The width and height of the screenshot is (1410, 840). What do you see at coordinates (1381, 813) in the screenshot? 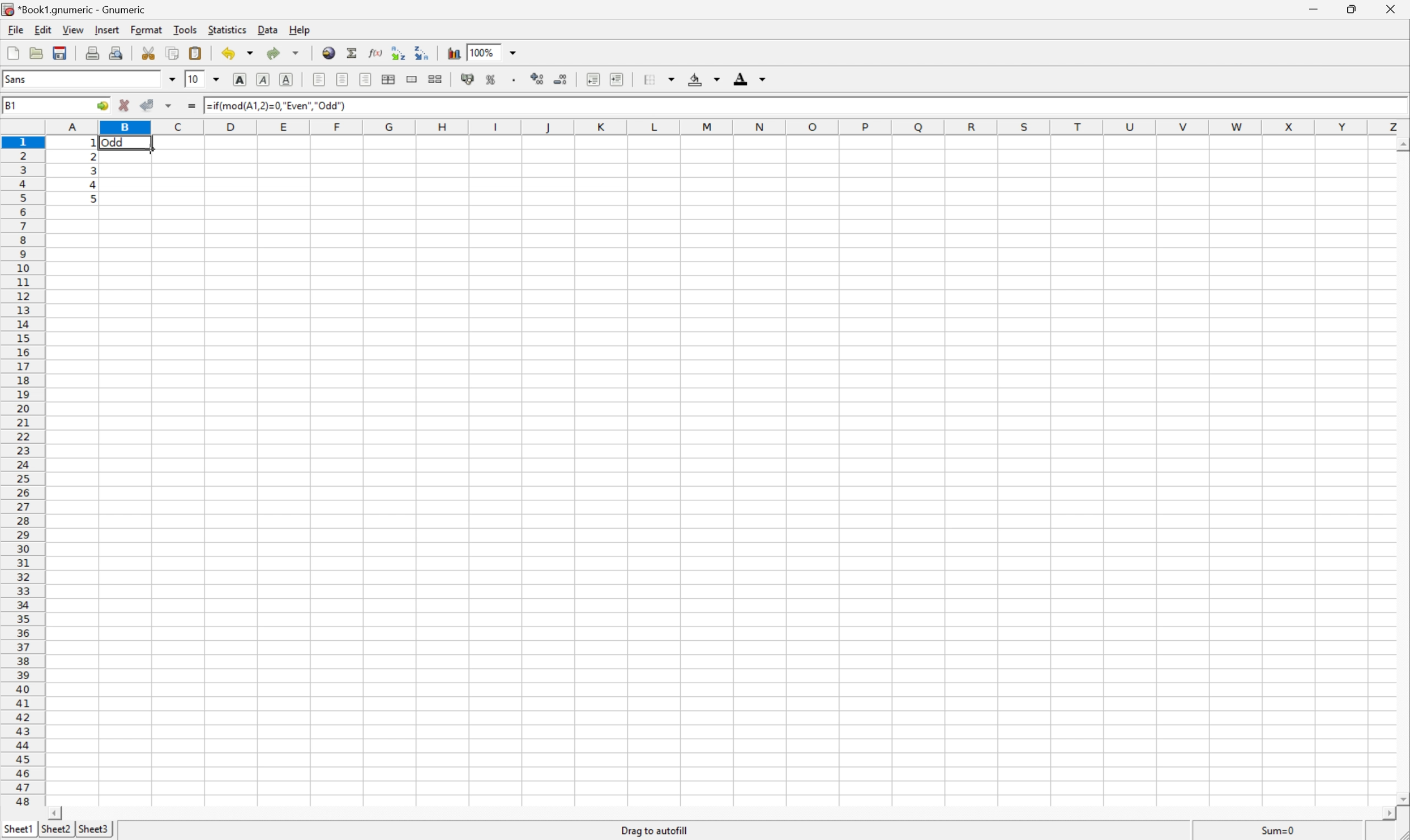
I see `Scroll Right` at bounding box center [1381, 813].